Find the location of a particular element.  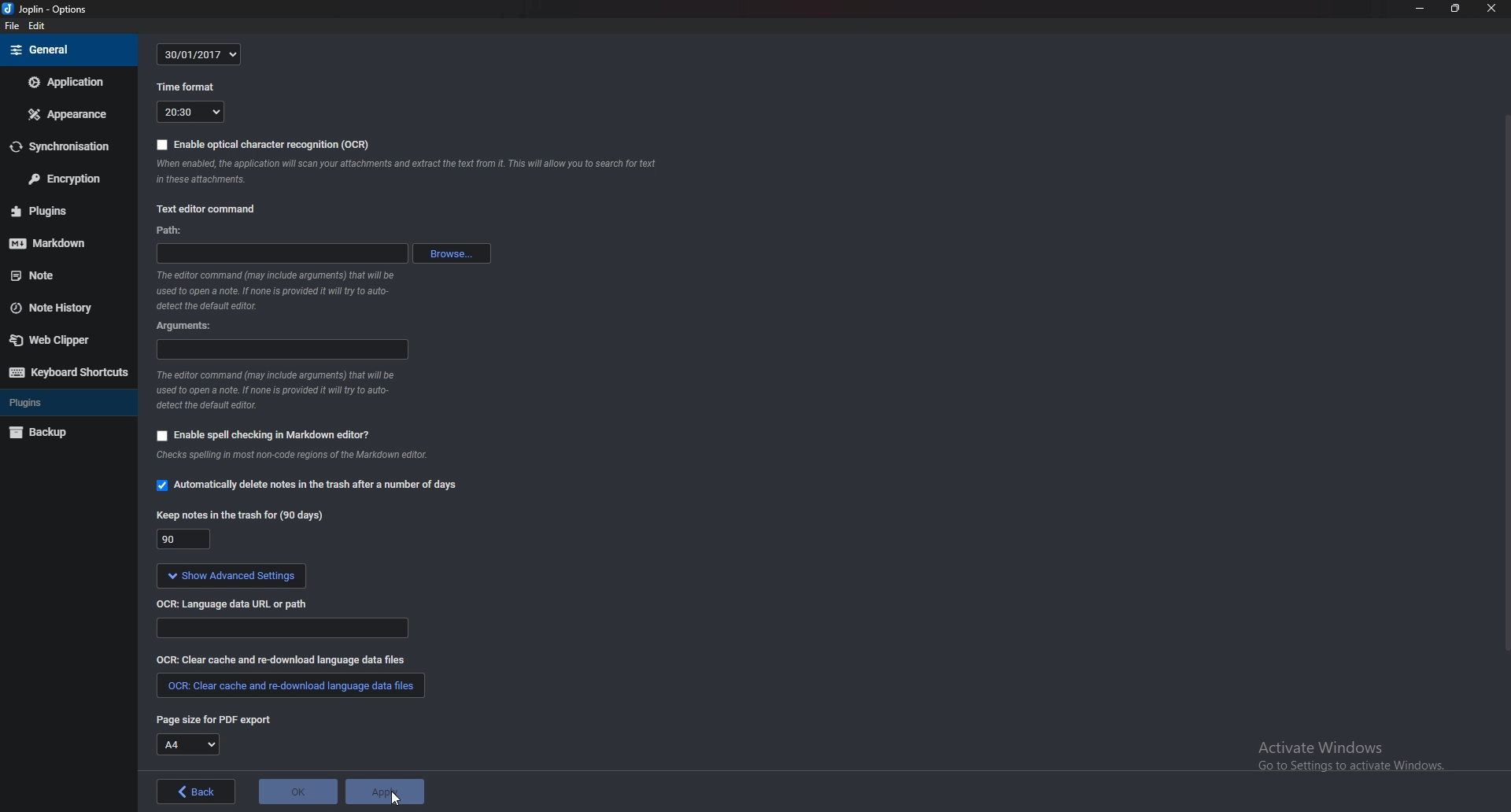

Appearance is located at coordinates (68, 114).